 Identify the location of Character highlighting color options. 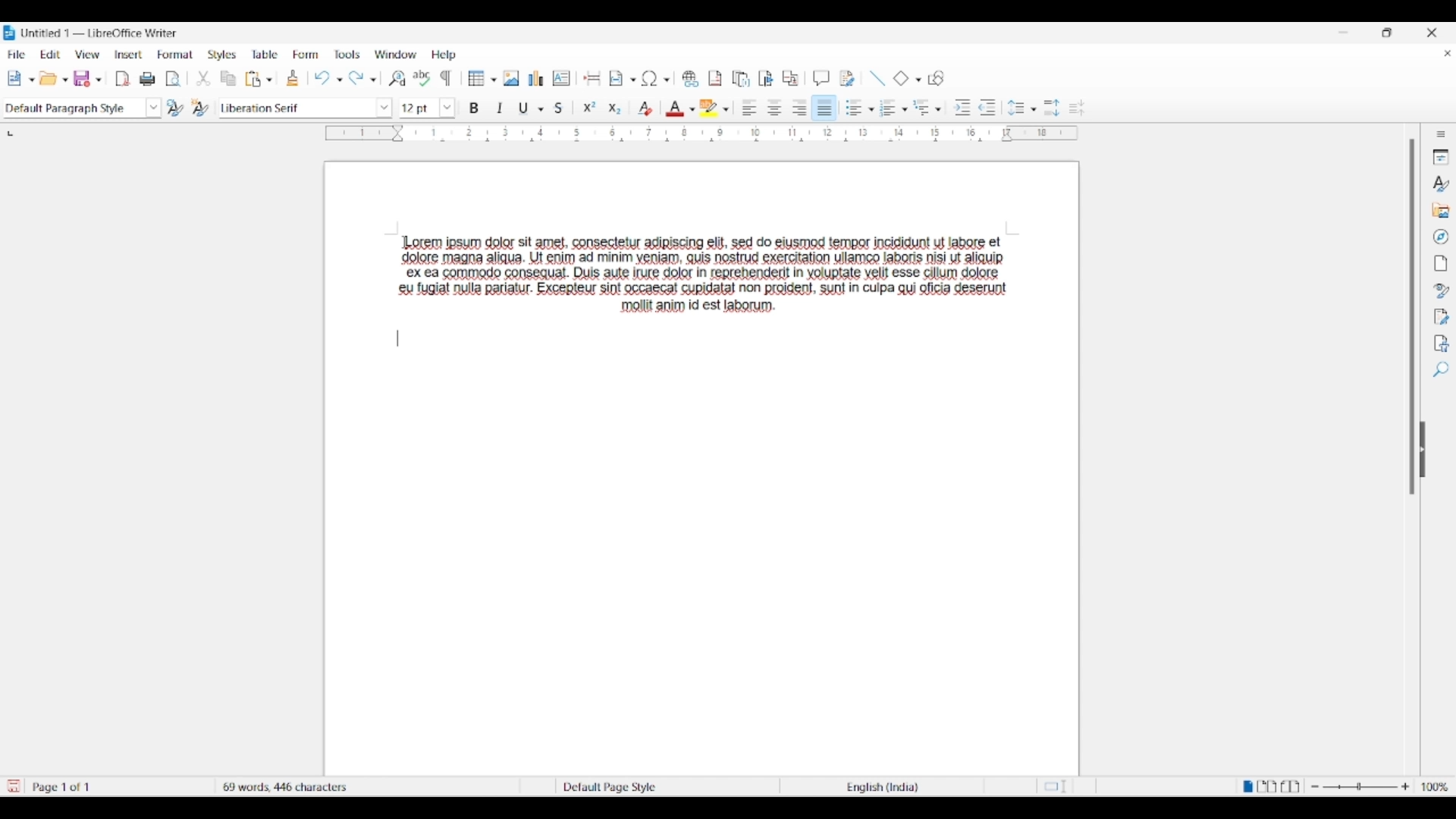
(726, 109).